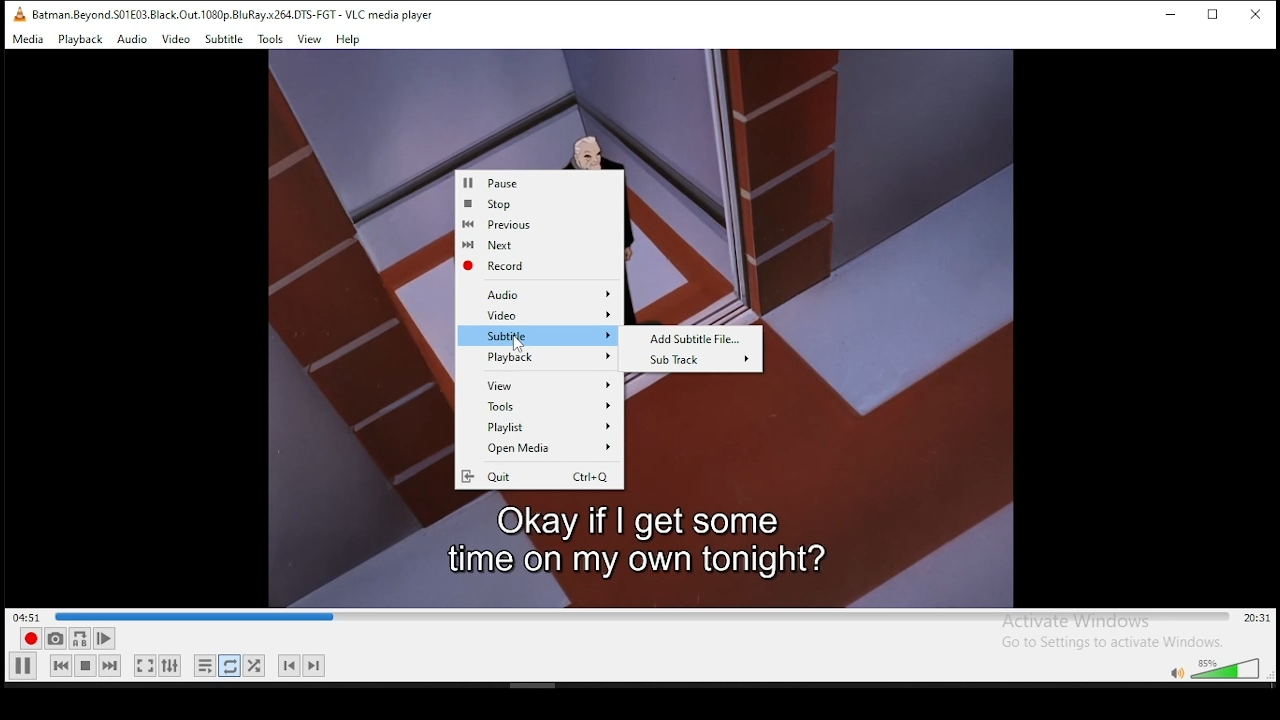 The width and height of the screenshot is (1280, 720). What do you see at coordinates (81, 40) in the screenshot?
I see `Playback` at bounding box center [81, 40].